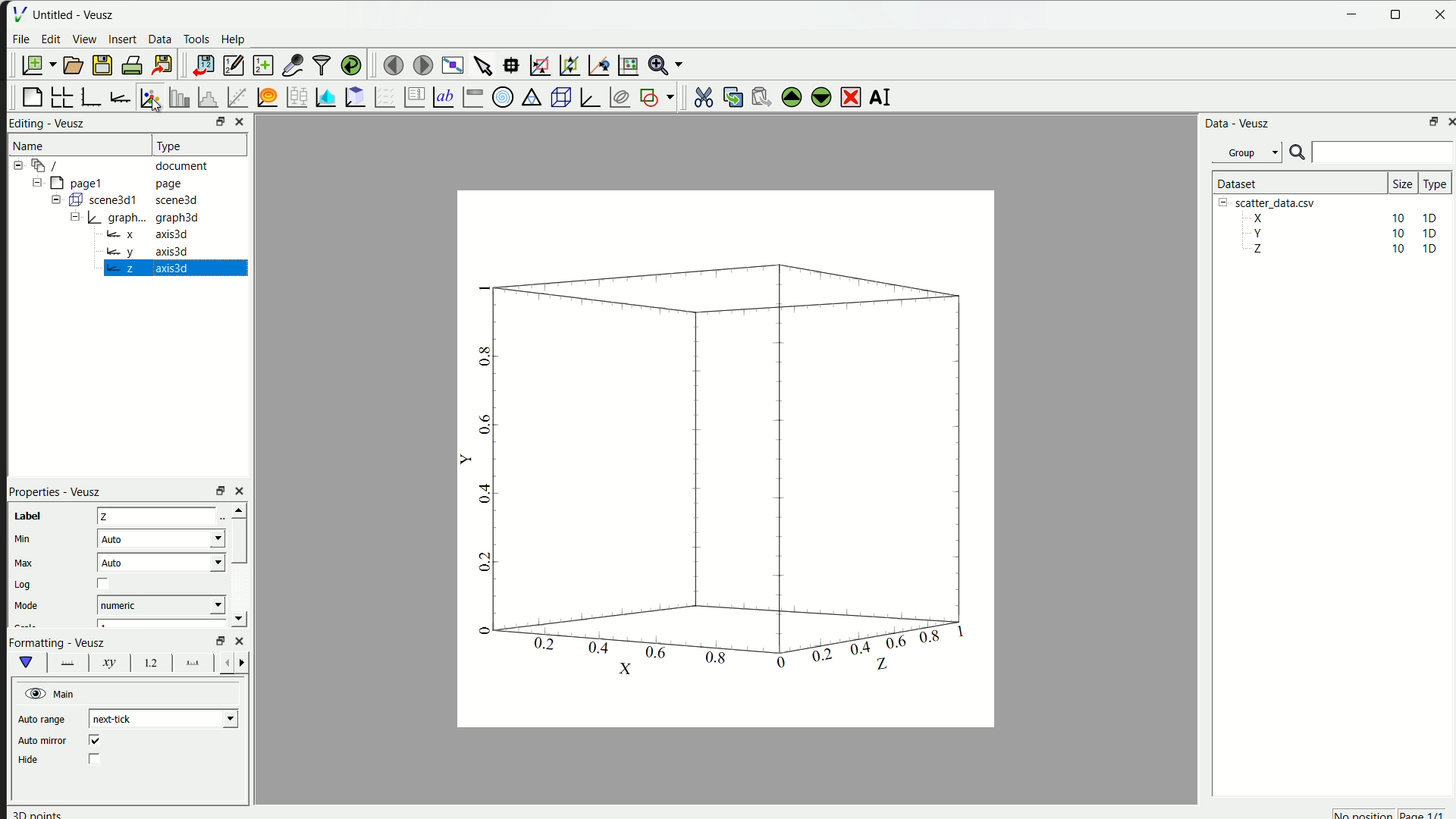 This screenshot has width=1456, height=819. I want to click on add axis to plot, so click(118, 96).